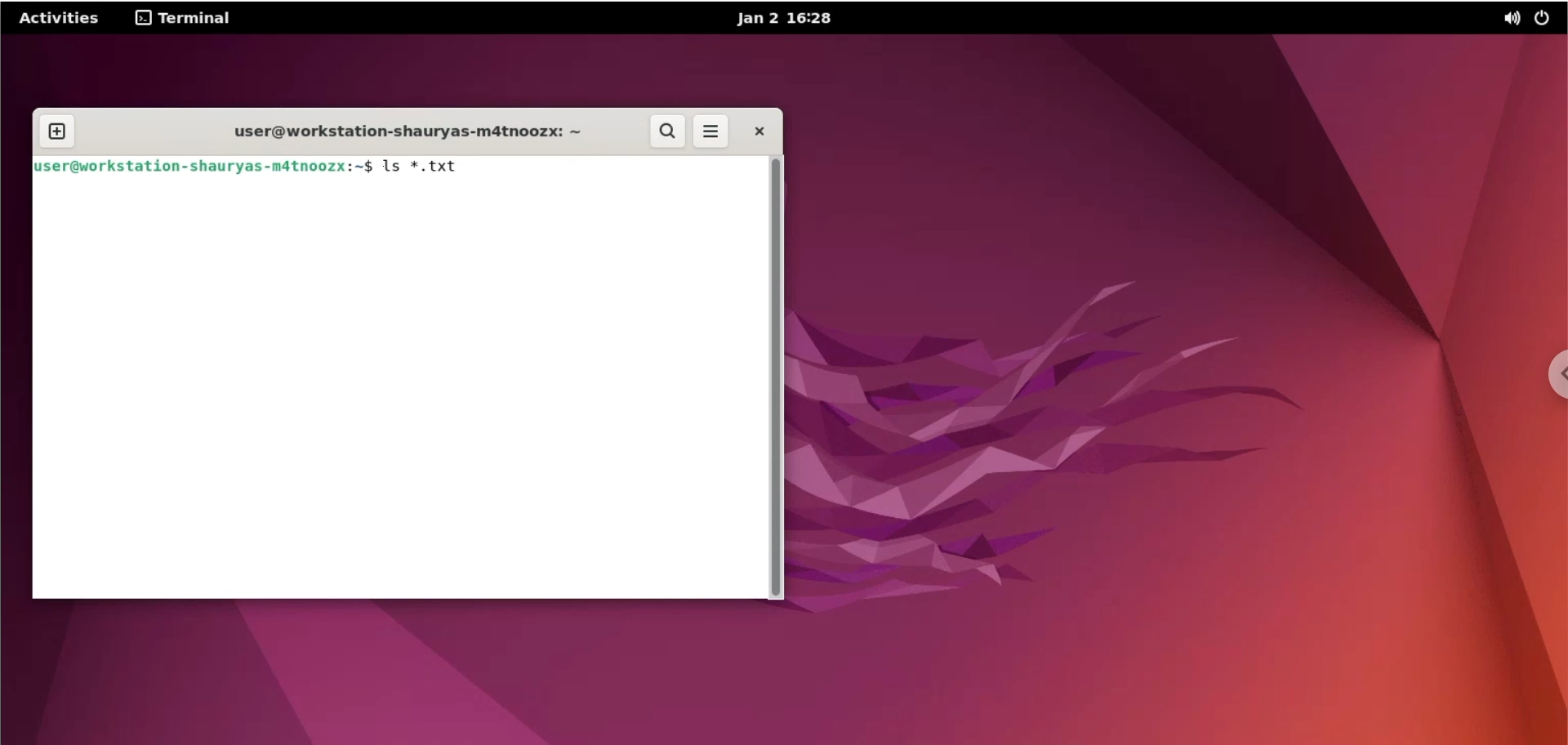  What do you see at coordinates (709, 132) in the screenshot?
I see `more options` at bounding box center [709, 132].